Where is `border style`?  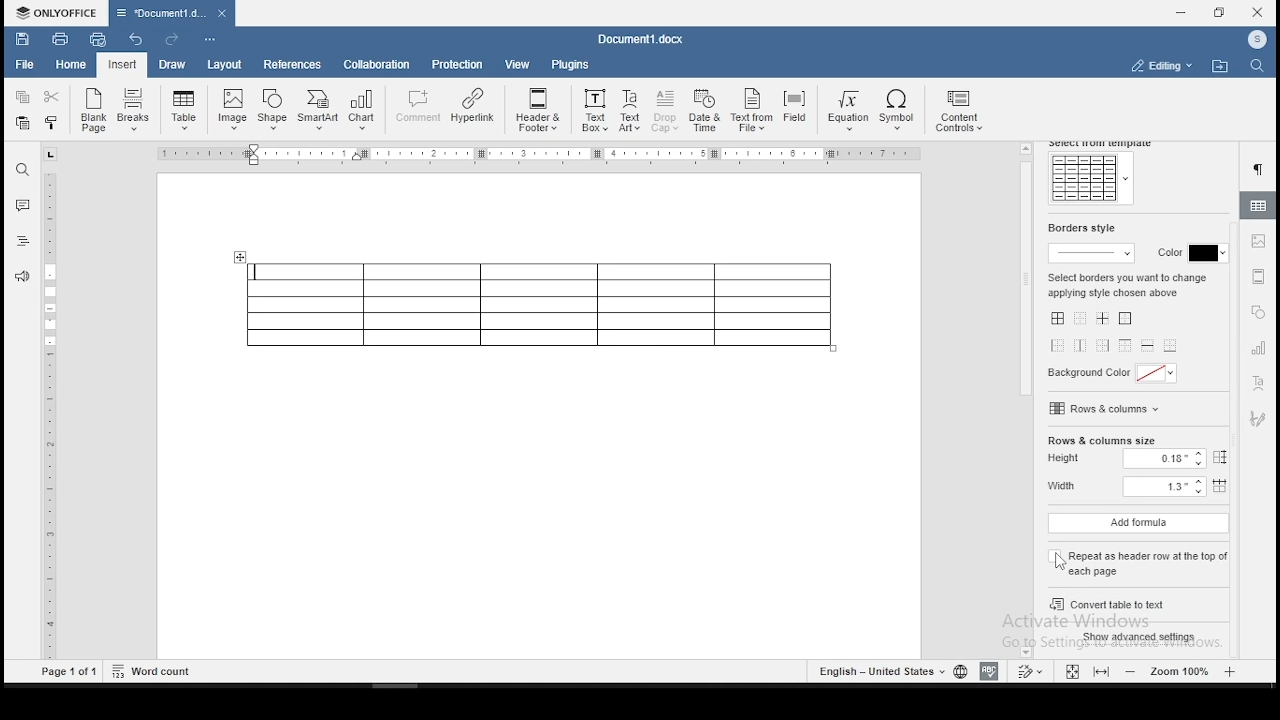
border style is located at coordinates (1094, 252).